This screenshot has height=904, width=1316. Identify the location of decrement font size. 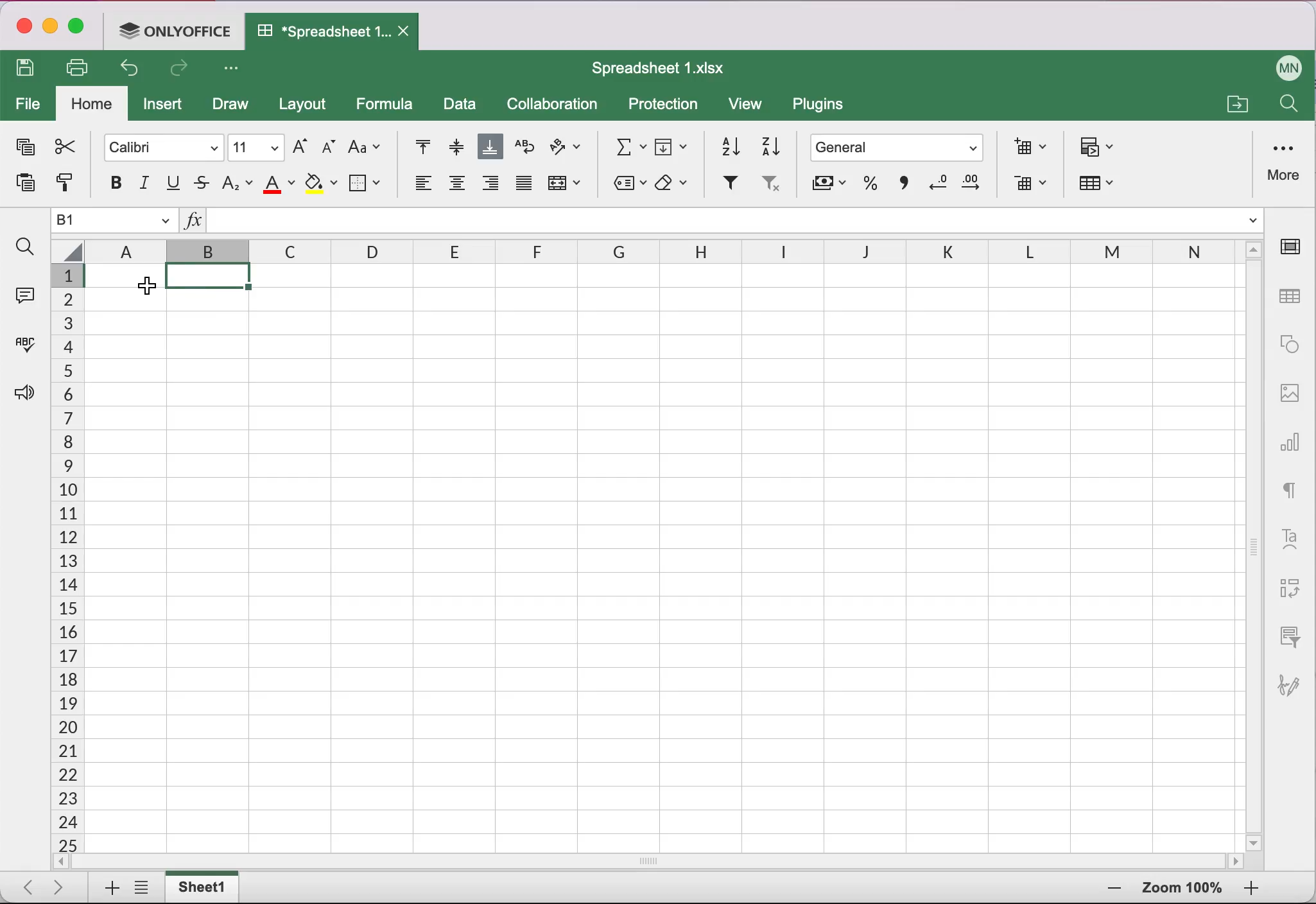
(327, 148).